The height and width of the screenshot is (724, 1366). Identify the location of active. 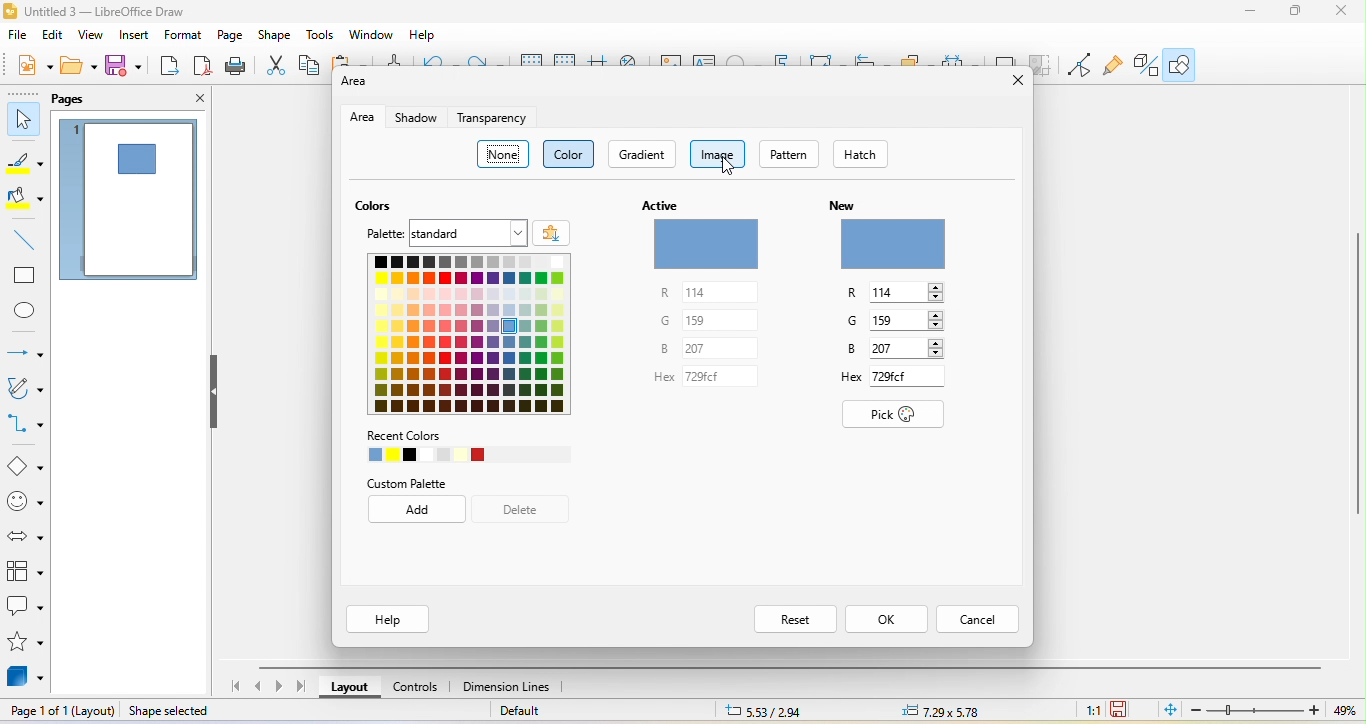
(712, 234).